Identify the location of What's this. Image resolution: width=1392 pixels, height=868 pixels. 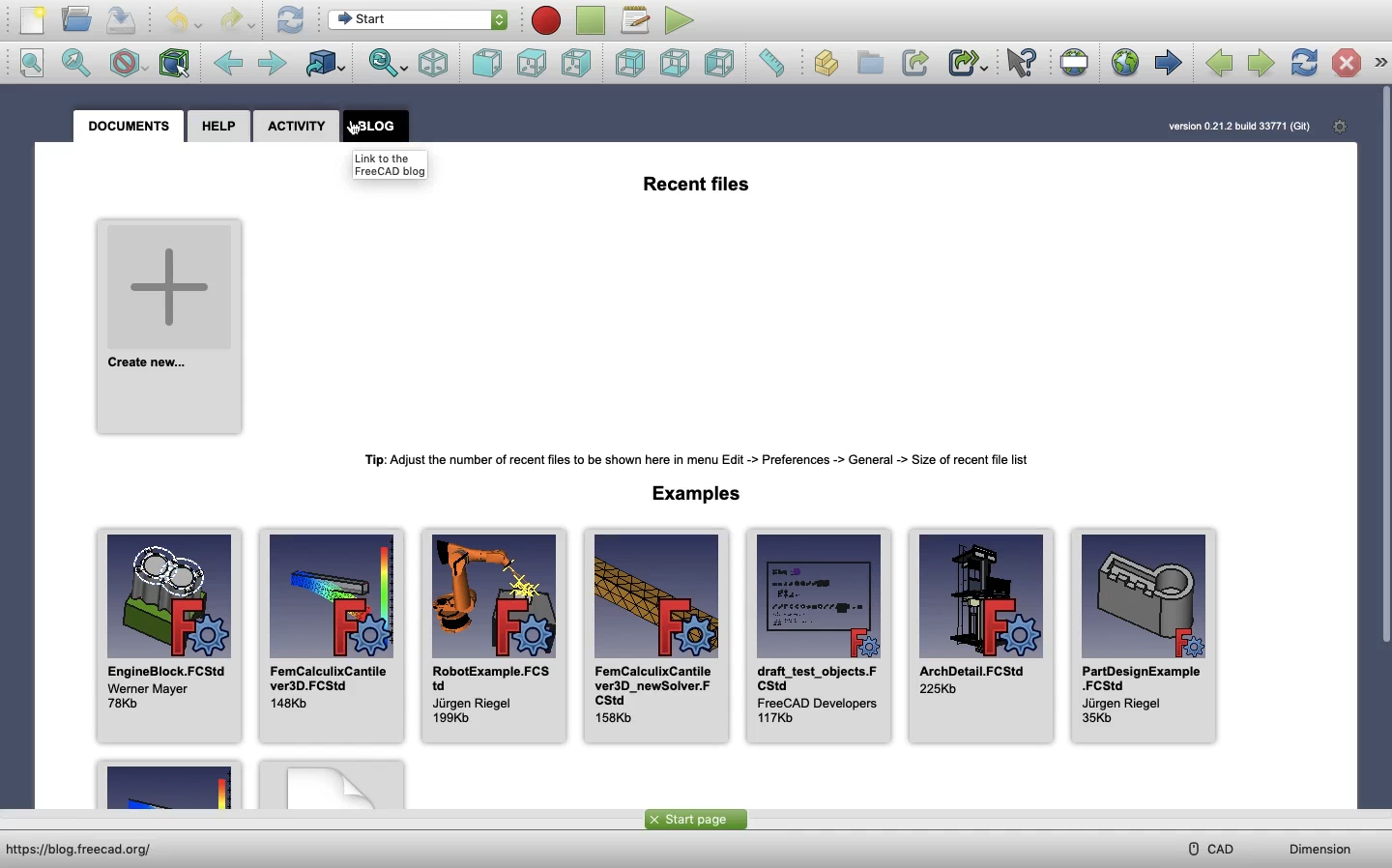
(1021, 64).